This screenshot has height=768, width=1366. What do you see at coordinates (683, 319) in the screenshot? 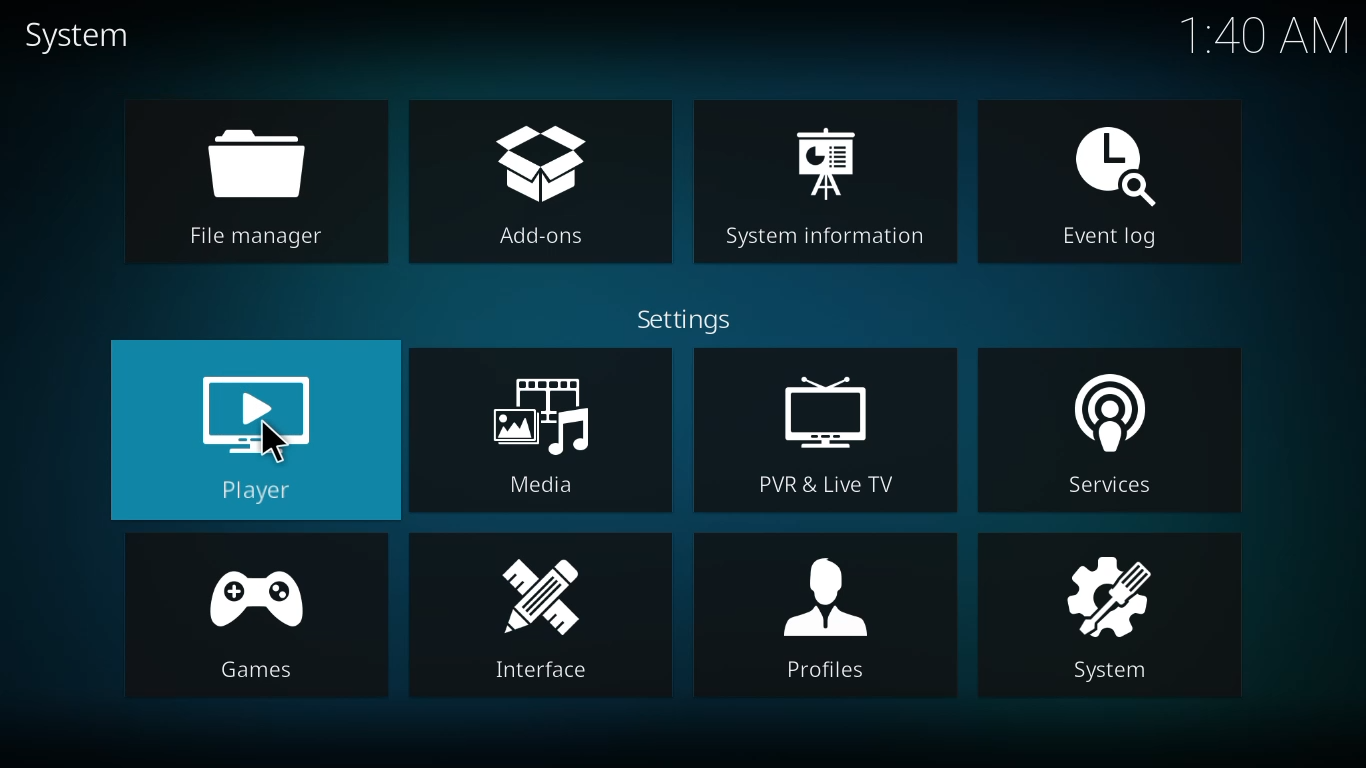
I see `settings` at bounding box center [683, 319].